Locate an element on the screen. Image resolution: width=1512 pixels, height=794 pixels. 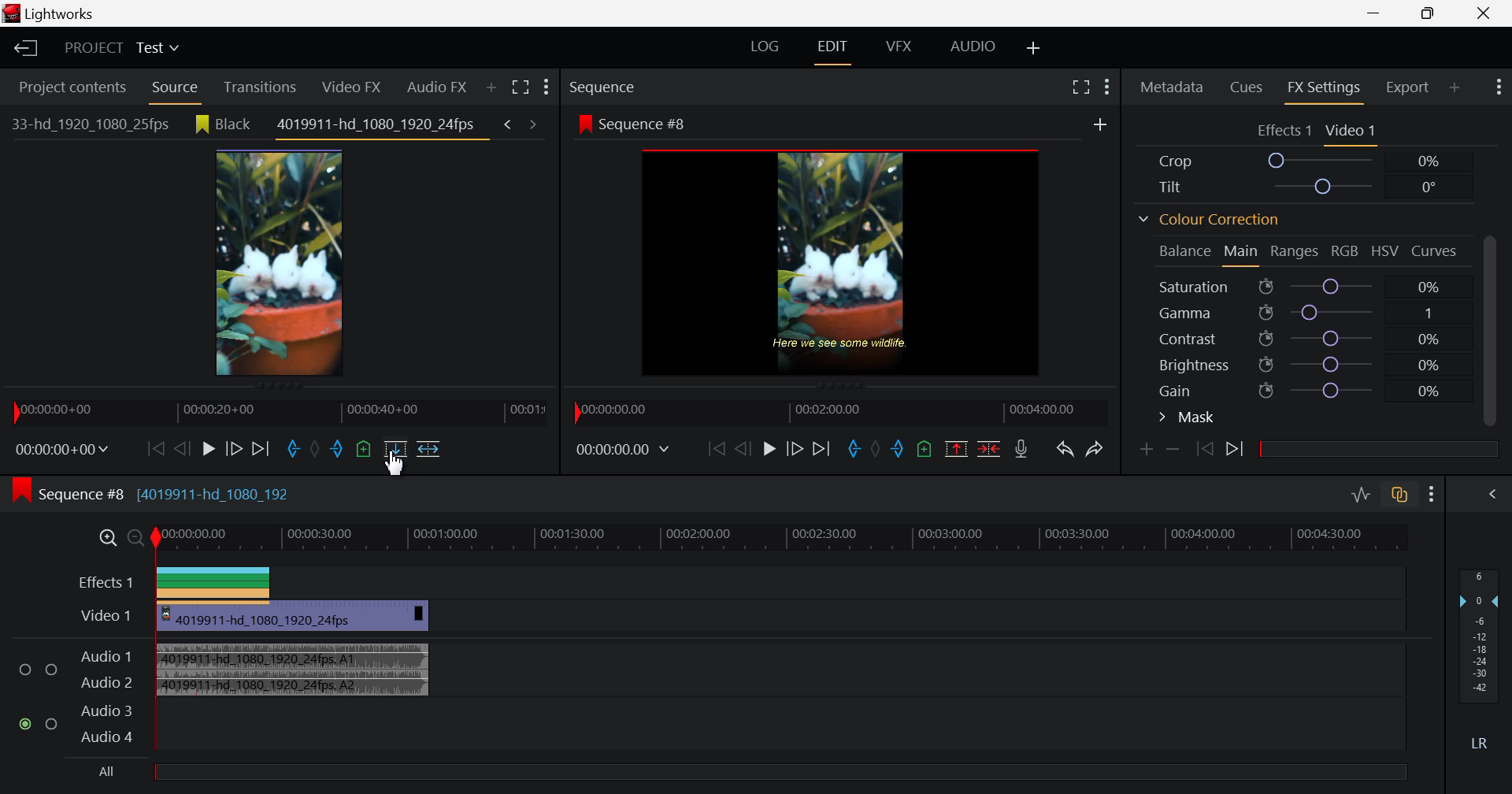
HSV is located at coordinates (1389, 254).